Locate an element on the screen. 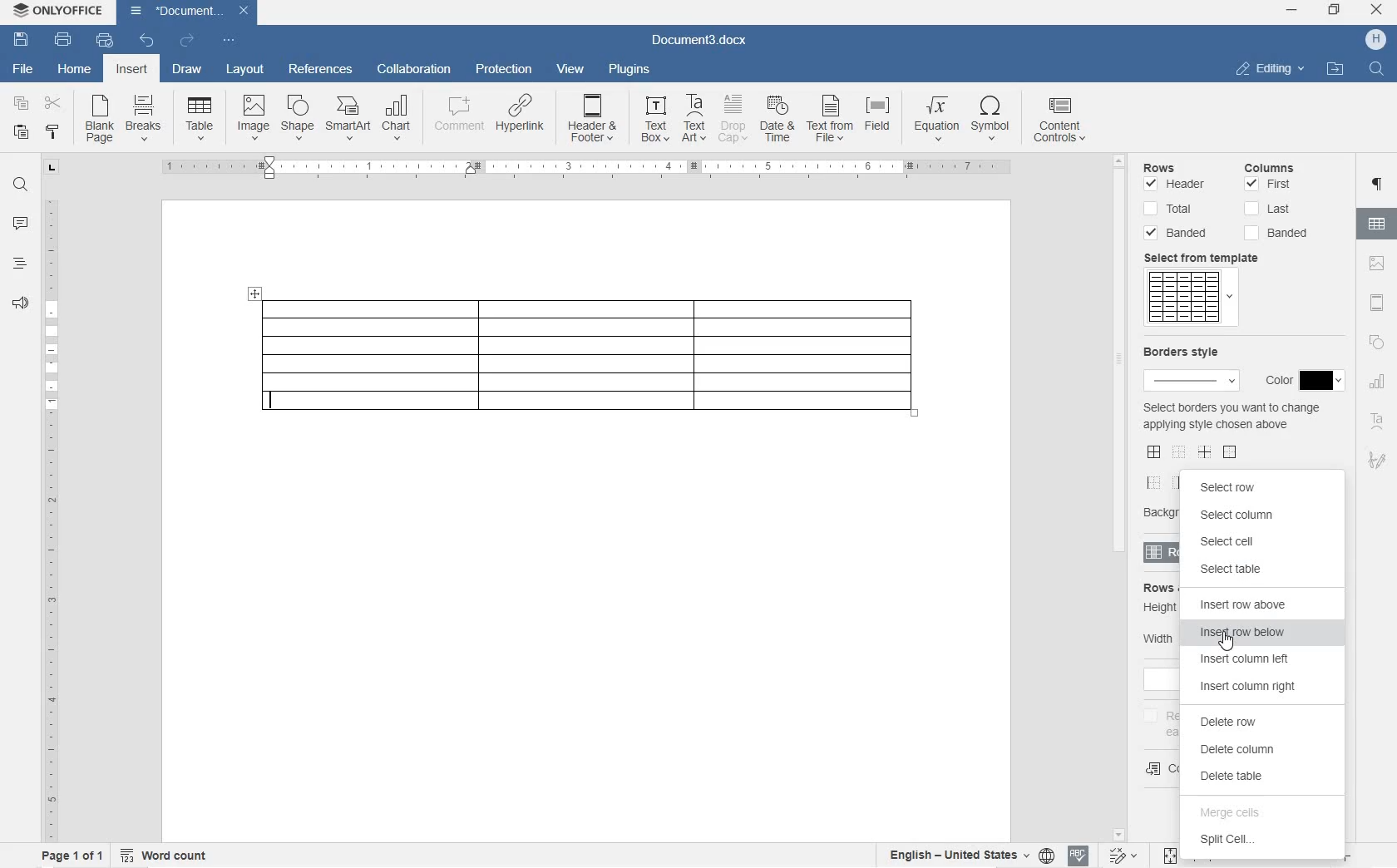  Banded is located at coordinates (1276, 234).